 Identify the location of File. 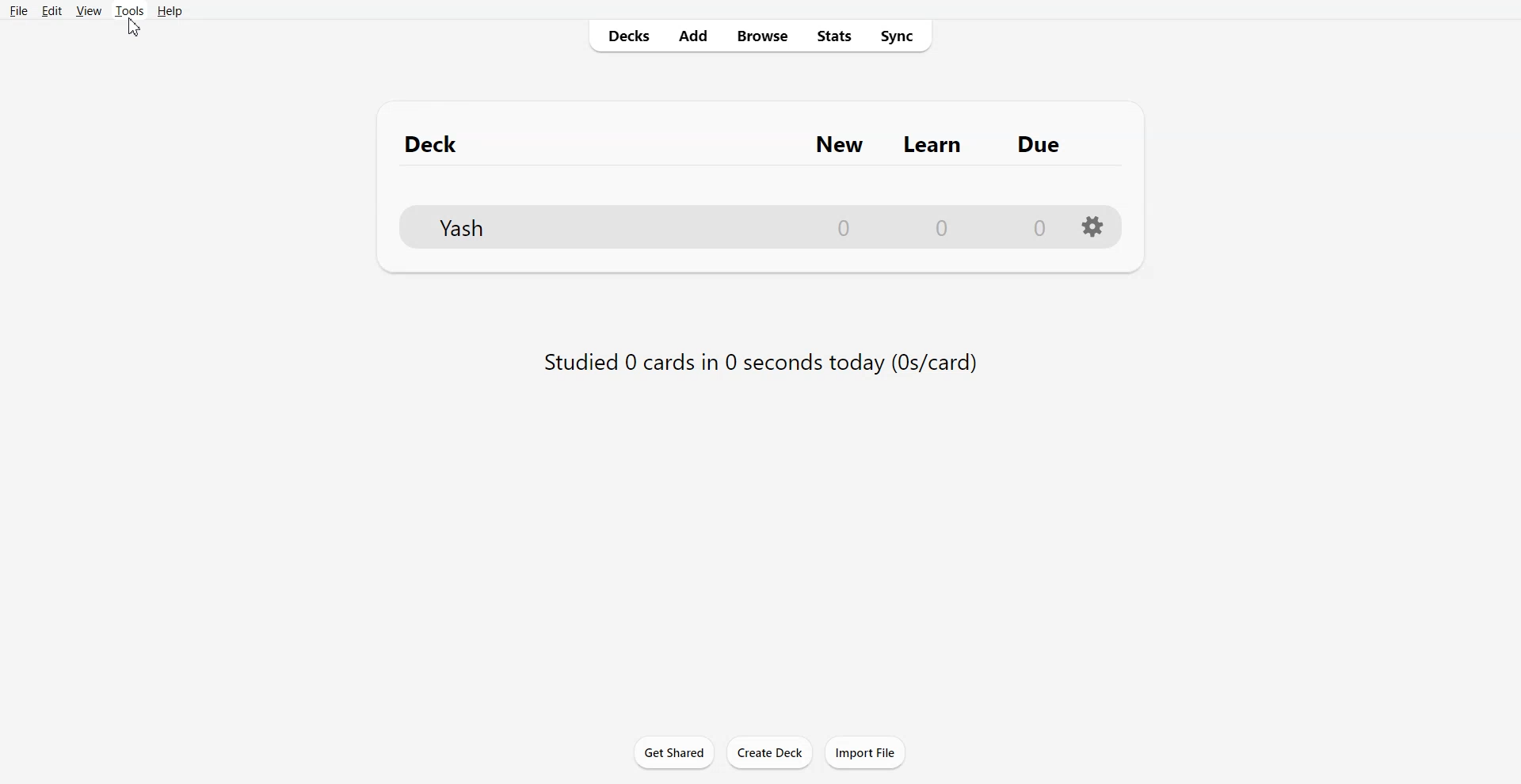
(18, 10).